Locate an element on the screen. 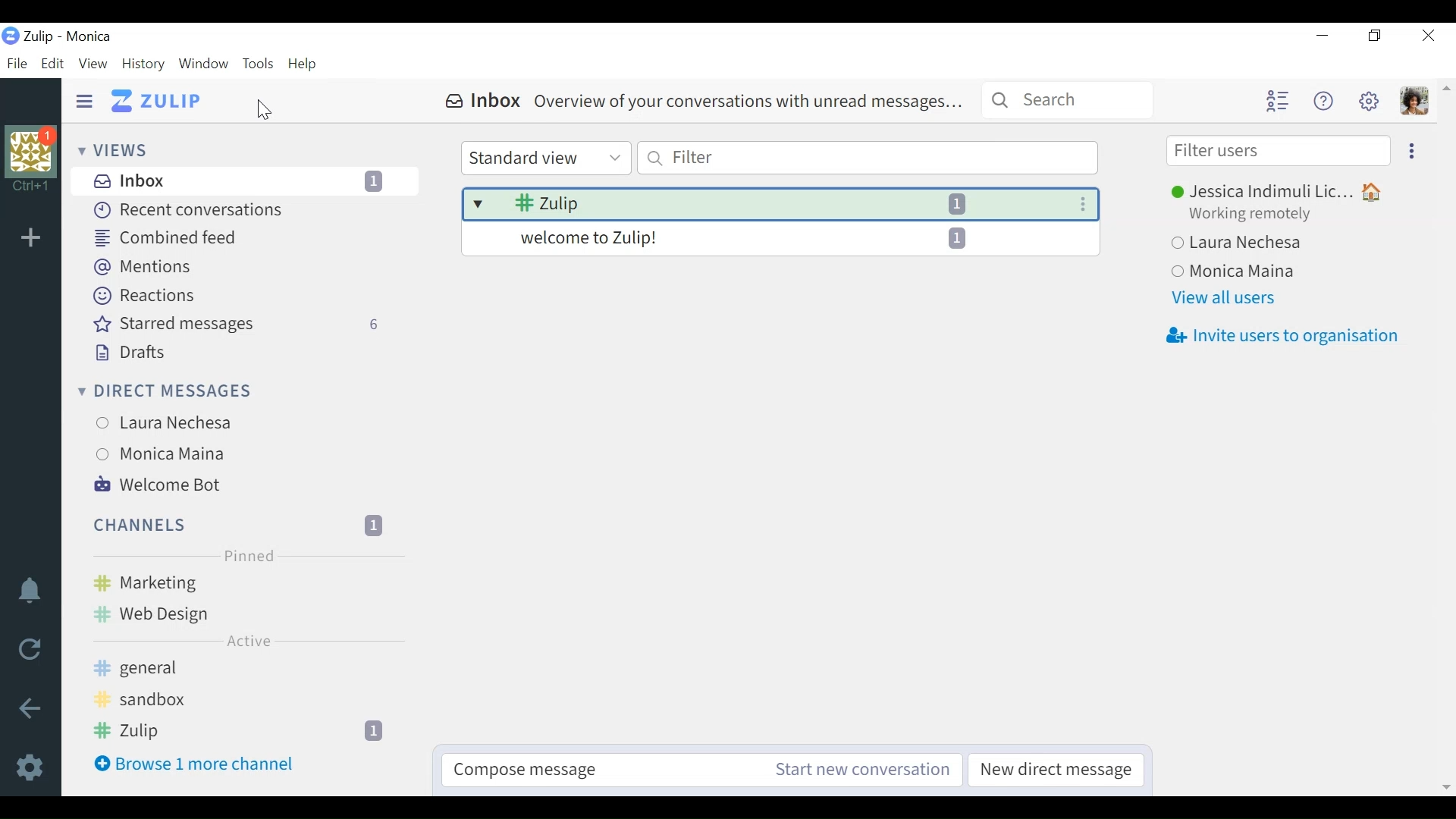 The width and height of the screenshot is (1456, 819). Tools is located at coordinates (260, 63).